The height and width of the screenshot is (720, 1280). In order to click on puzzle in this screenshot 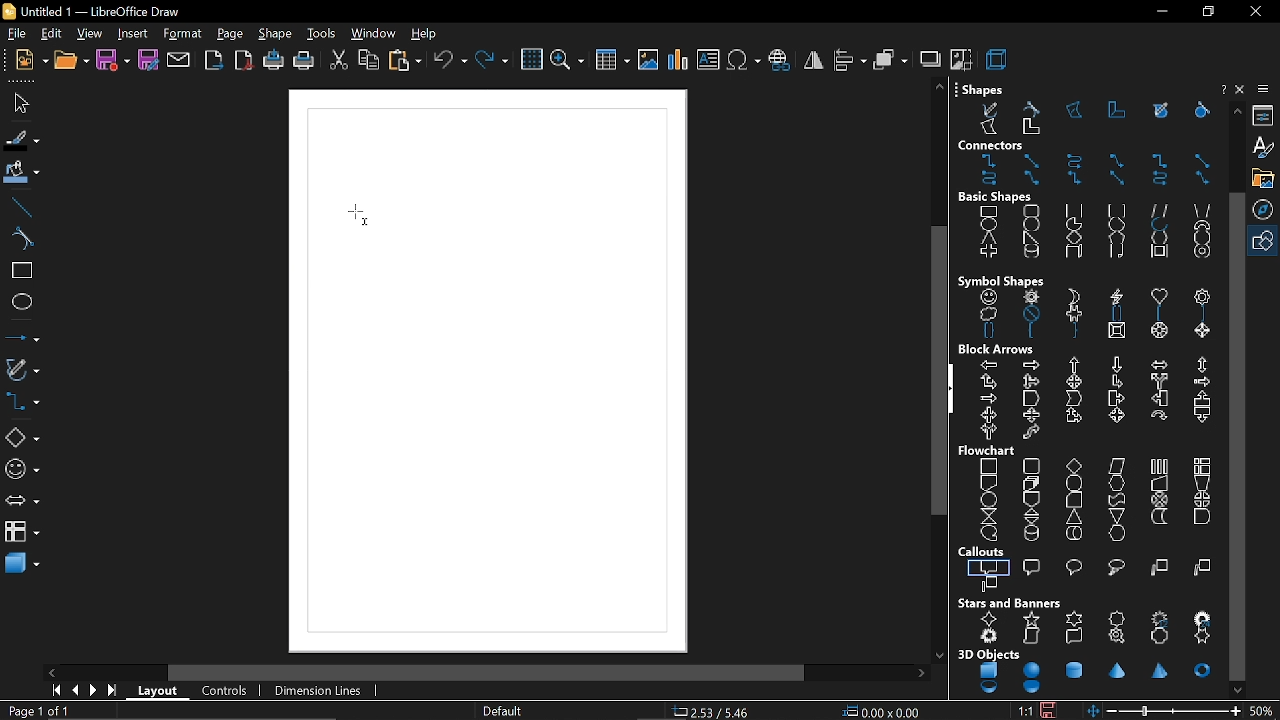, I will do `click(1072, 314)`.